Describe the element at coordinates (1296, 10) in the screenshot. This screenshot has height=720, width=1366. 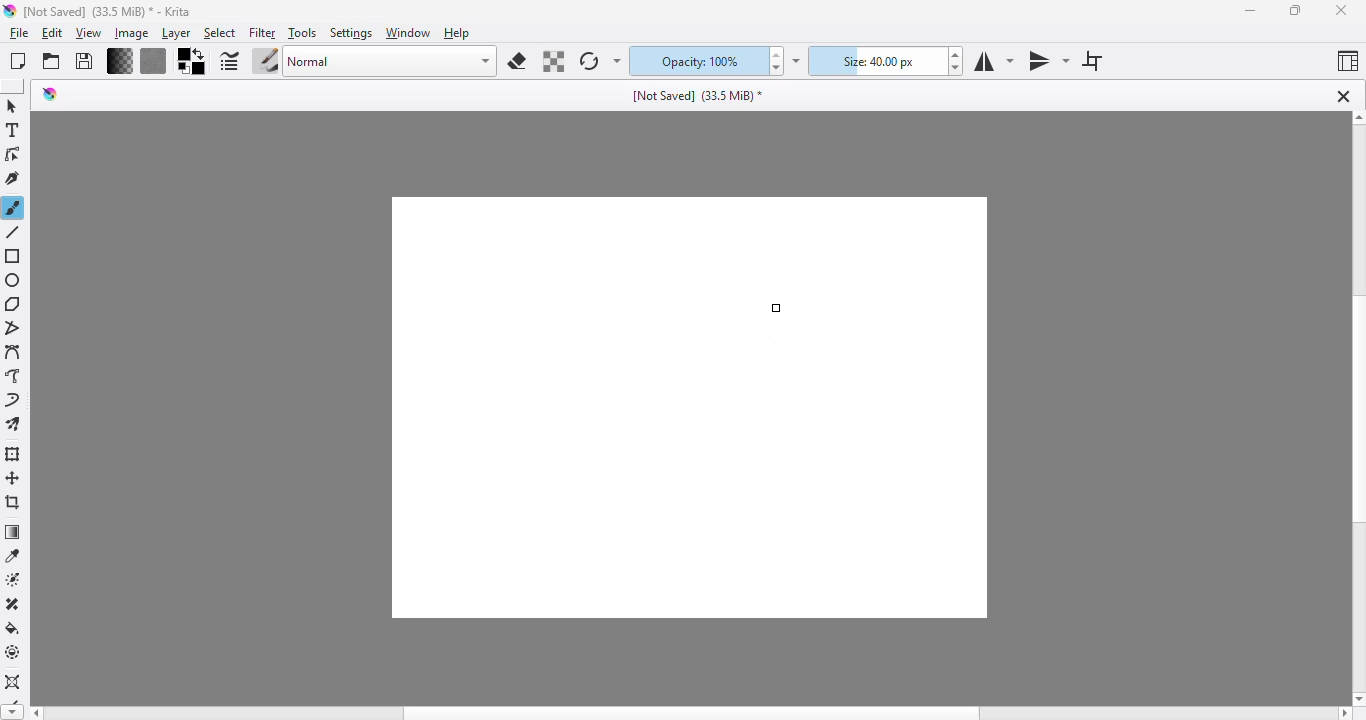
I see `maximize` at that location.